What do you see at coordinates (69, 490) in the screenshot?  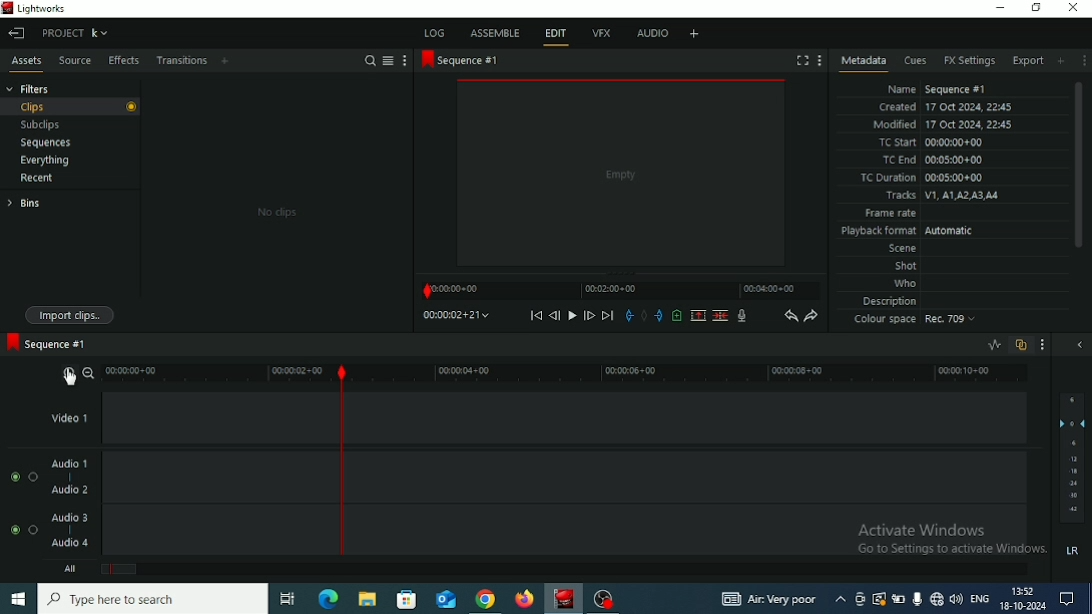 I see `Audio 2` at bounding box center [69, 490].